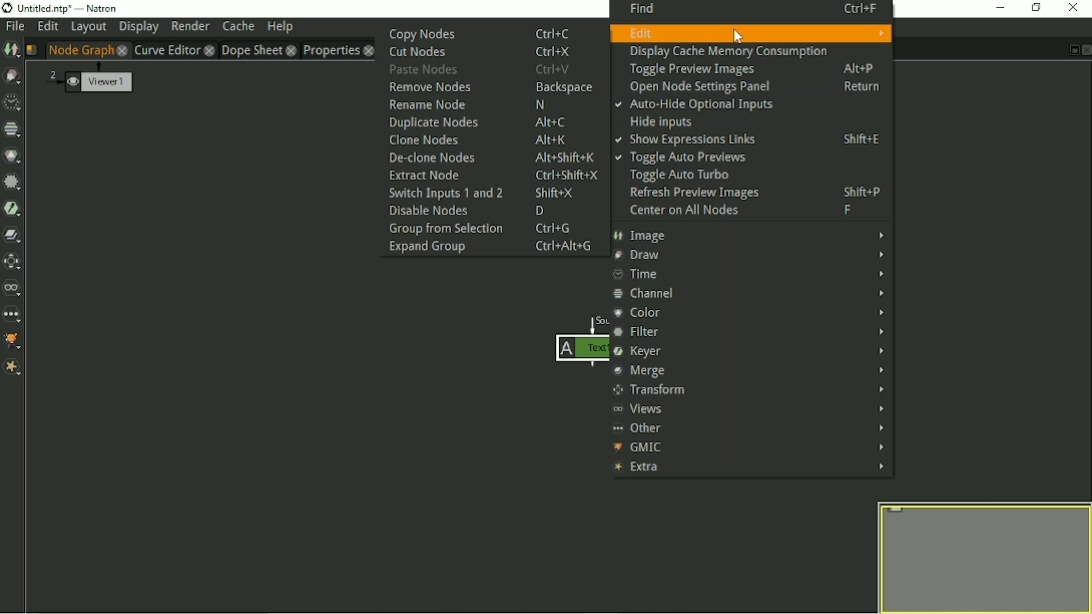  What do you see at coordinates (750, 409) in the screenshot?
I see `Views` at bounding box center [750, 409].